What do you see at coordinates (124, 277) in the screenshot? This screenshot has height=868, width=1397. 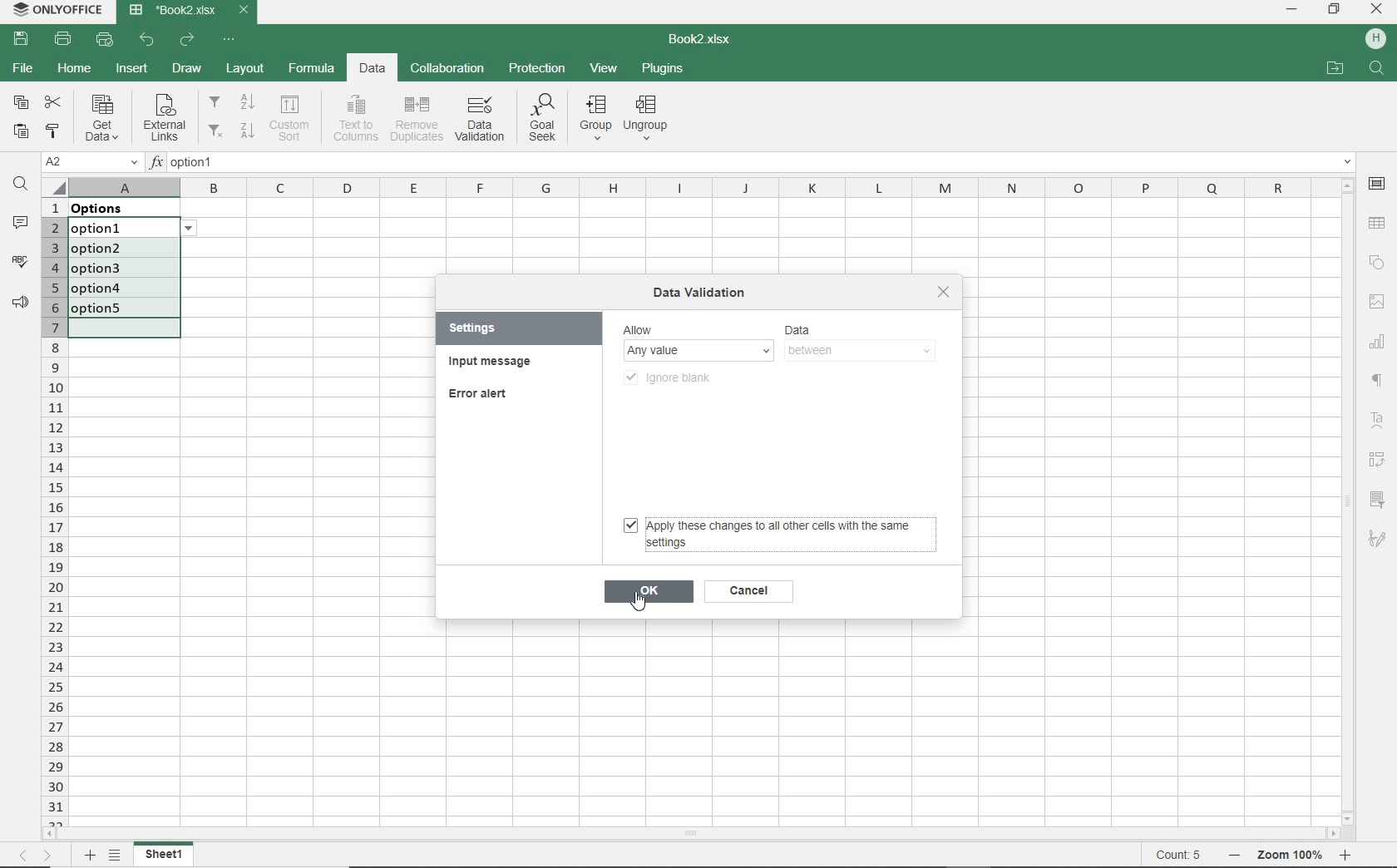 I see `selected cells` at bounding box center [124, 277].